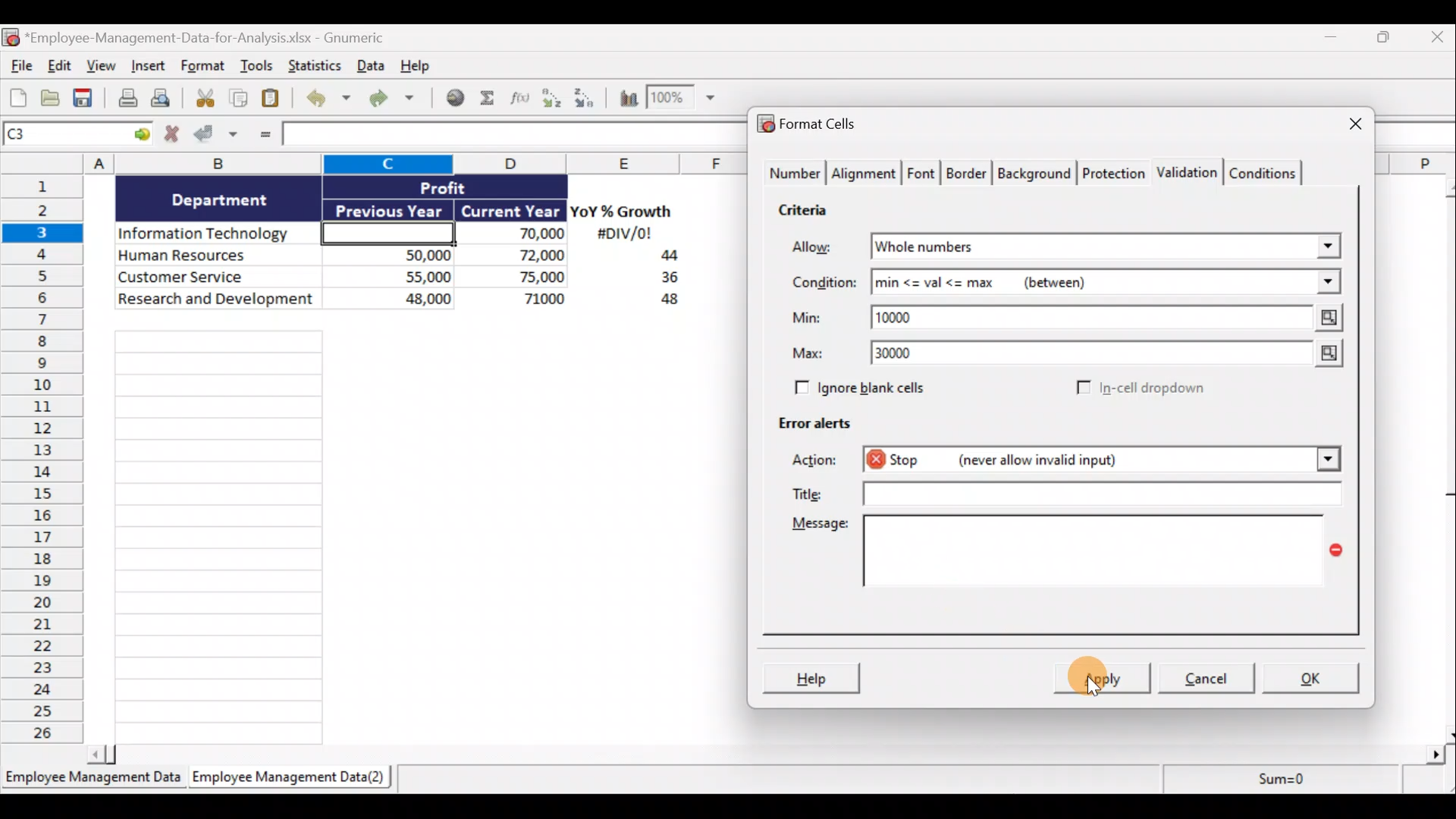 Image resolution: width=1456 pixels, height=819 pixels. Describe the element at coordinates (509, 212) in the screenshot. I see `Current Year` at that location.